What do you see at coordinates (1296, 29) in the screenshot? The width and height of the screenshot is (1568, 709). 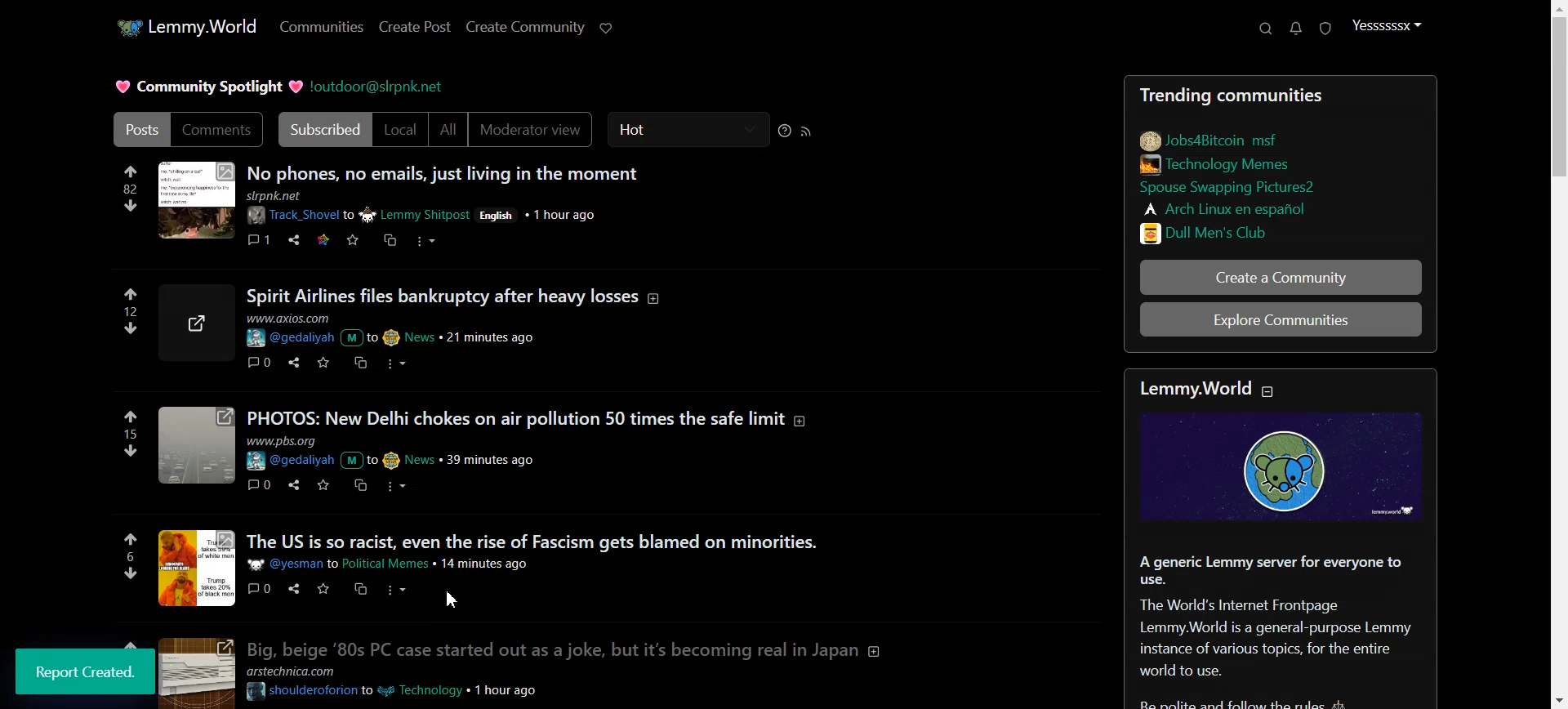 I see `Unread Message` at bounding box center [1296, 29].